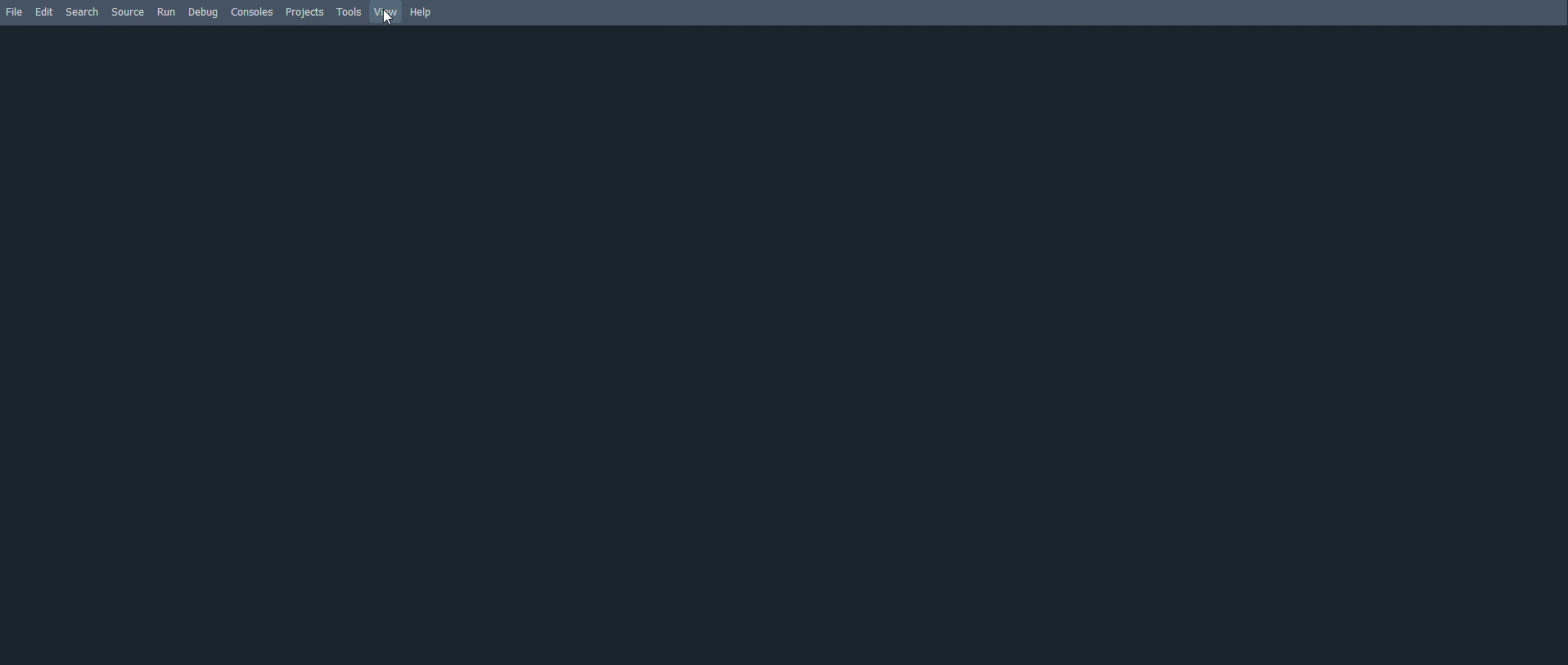  Describe the element at coordinates (43, 11) in the screenshot. I see `Edit` at that location.